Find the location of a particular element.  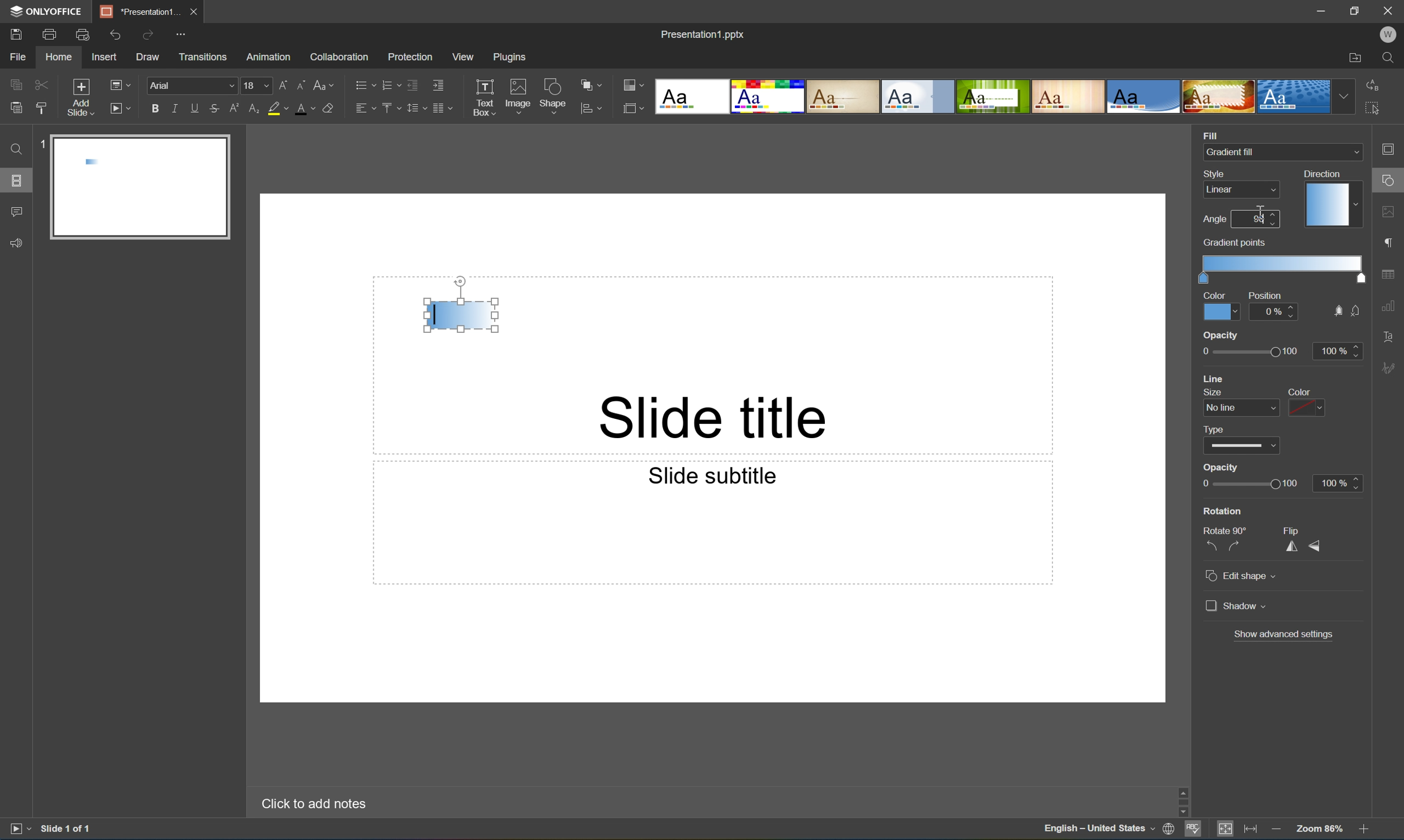

image settings is located at coordinates (1390, 214).